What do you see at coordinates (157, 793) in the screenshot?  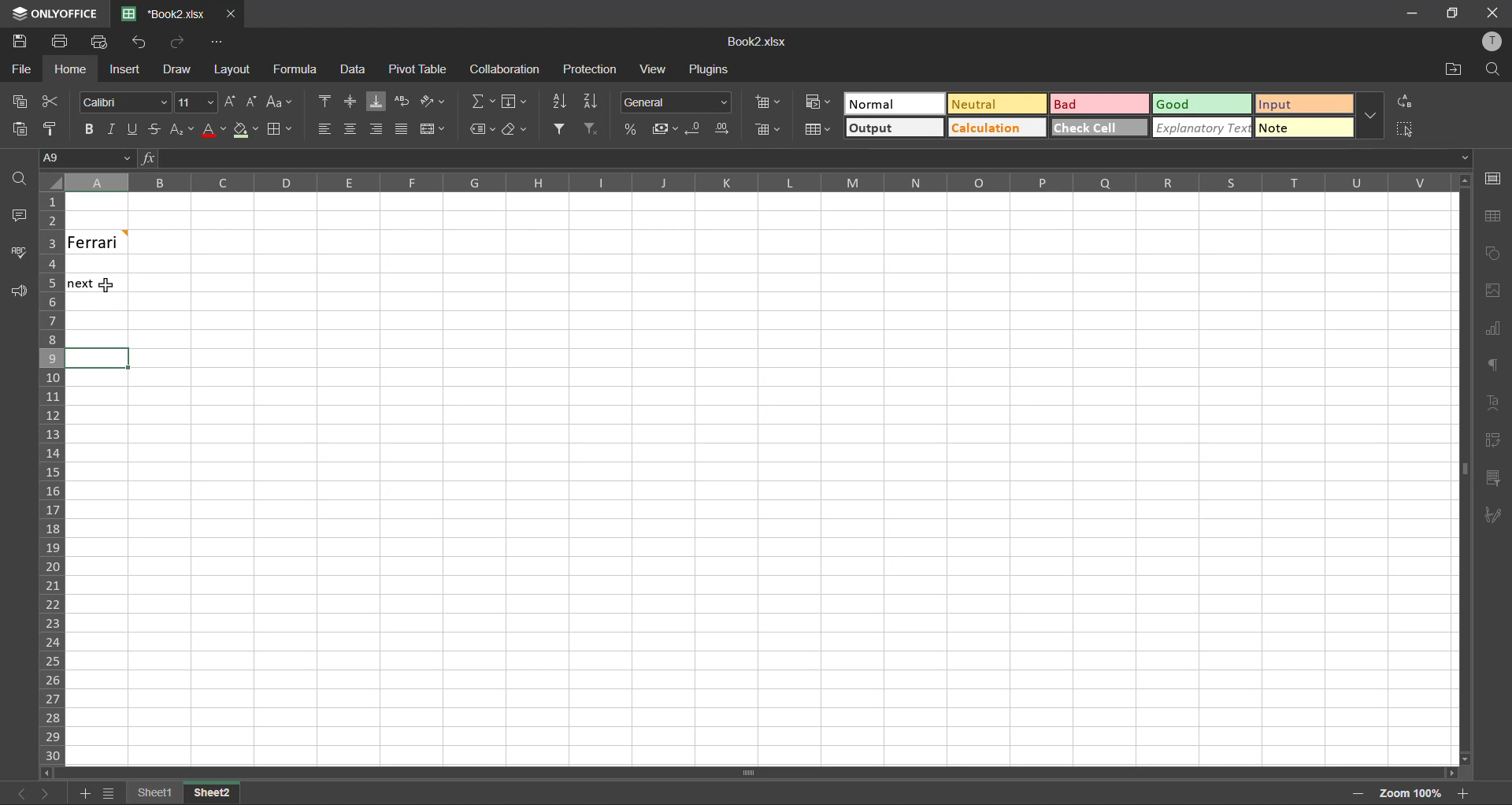 I see `sheet1` at bounding box center [157, 793].